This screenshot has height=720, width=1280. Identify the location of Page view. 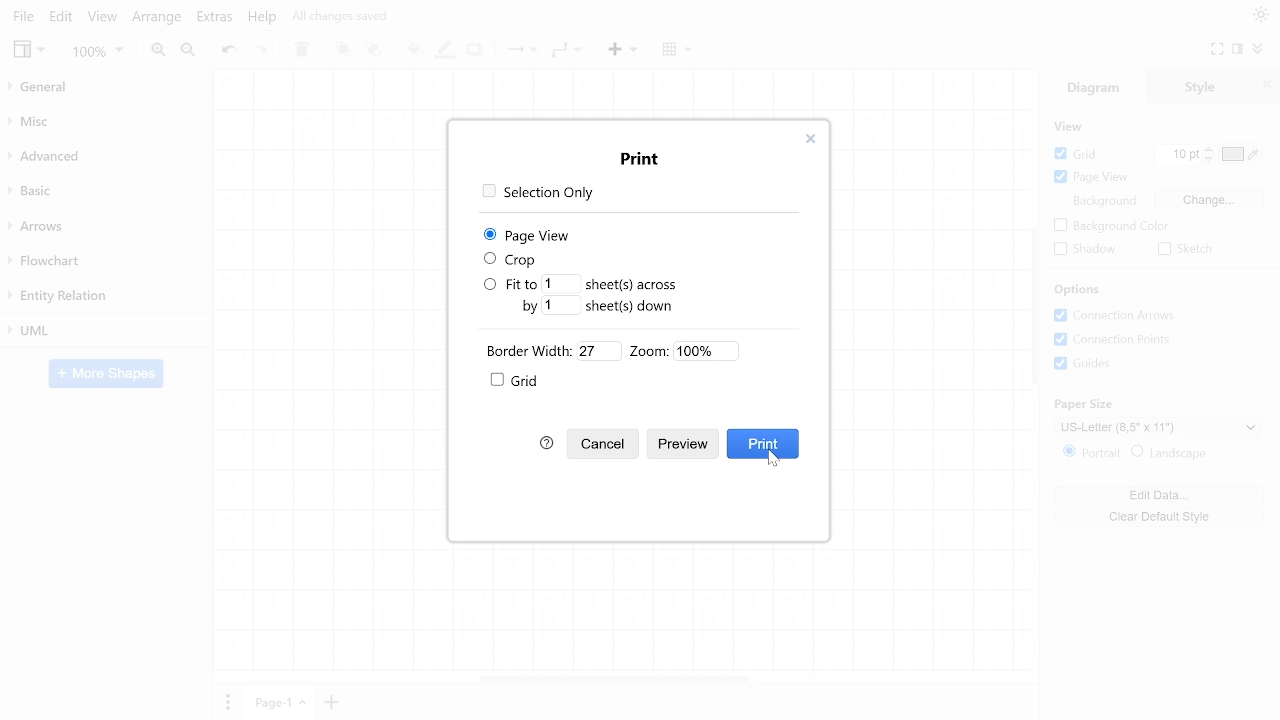
(1094, 178).